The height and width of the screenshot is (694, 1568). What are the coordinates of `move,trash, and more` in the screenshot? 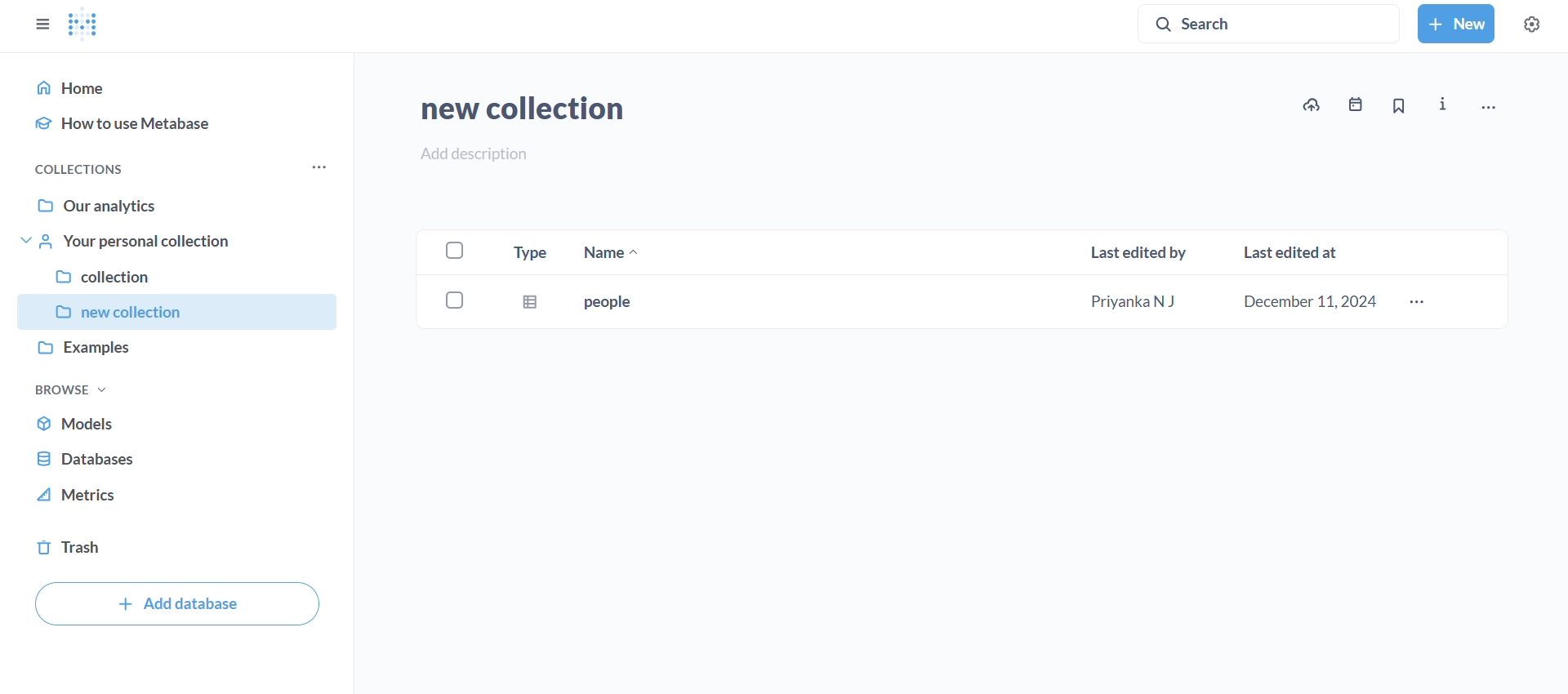 It's located at (1487, 109).